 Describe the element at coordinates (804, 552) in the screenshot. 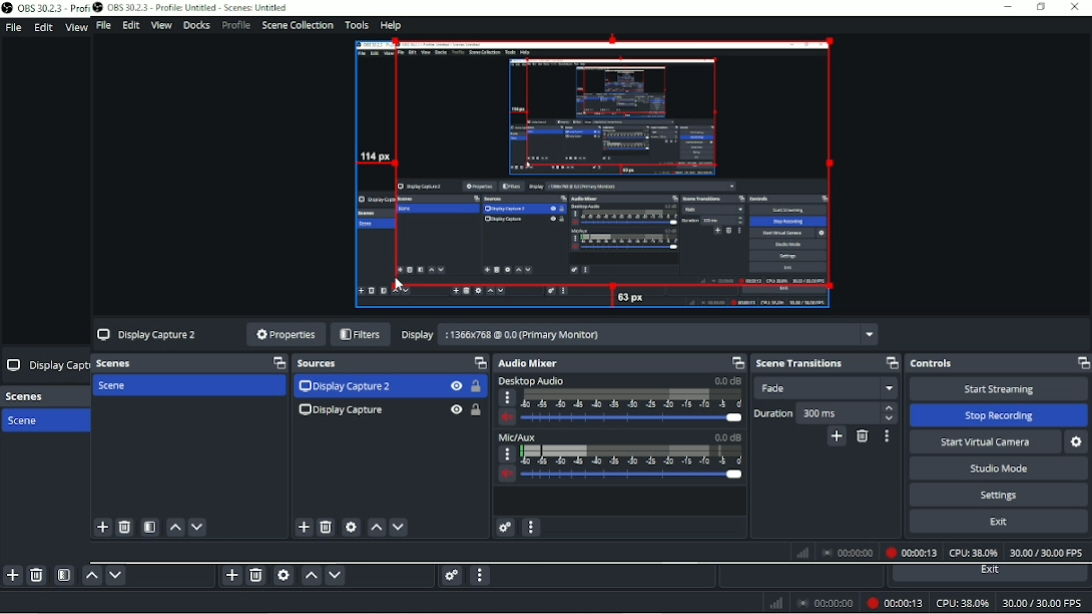

I see `Network` at that location.